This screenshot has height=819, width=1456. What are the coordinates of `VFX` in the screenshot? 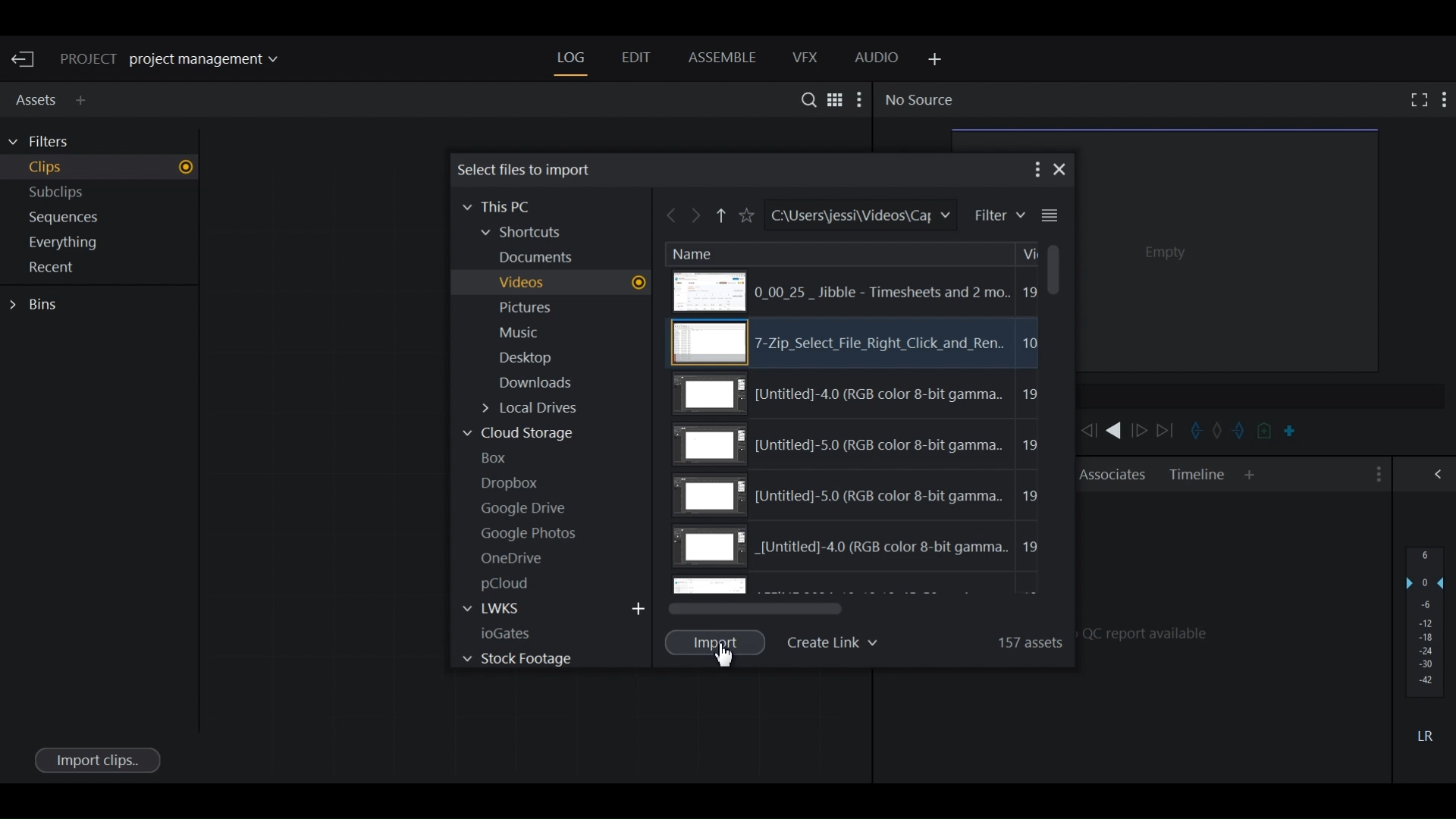 It's located at (806, 58).